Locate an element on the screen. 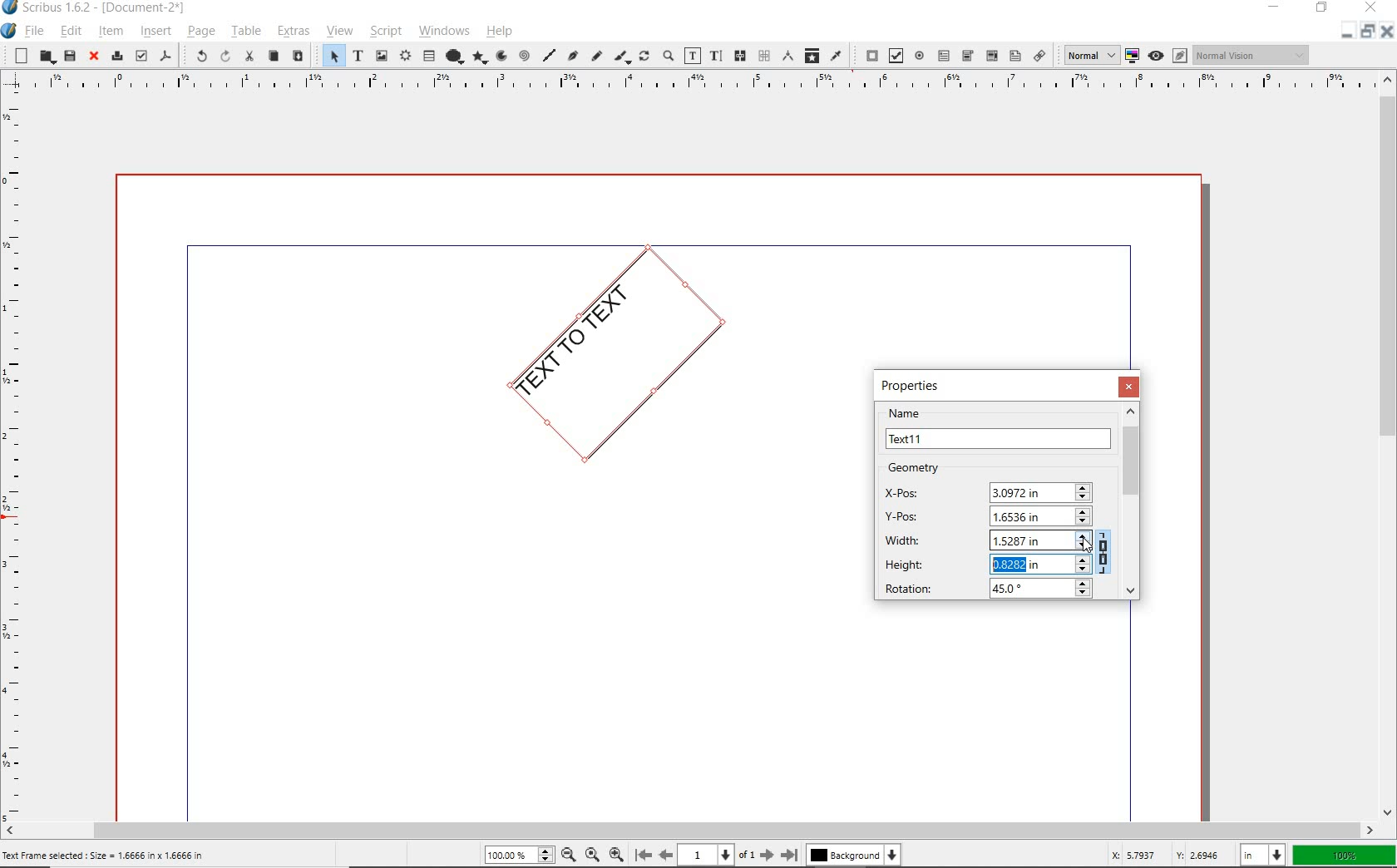  open is located at coordinates (47, 57).